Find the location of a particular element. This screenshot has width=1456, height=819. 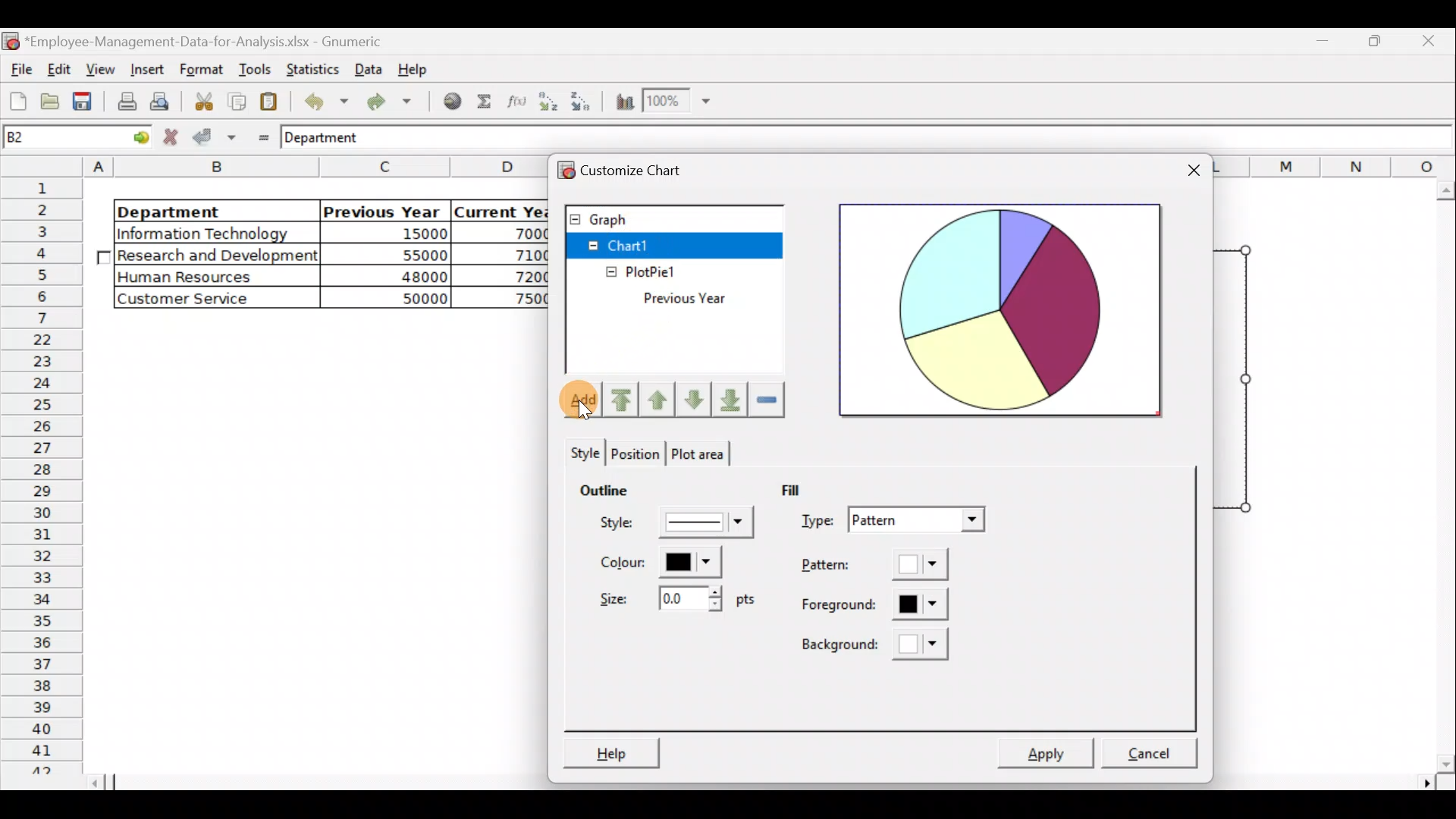

View is located at coordinates (103, 67).